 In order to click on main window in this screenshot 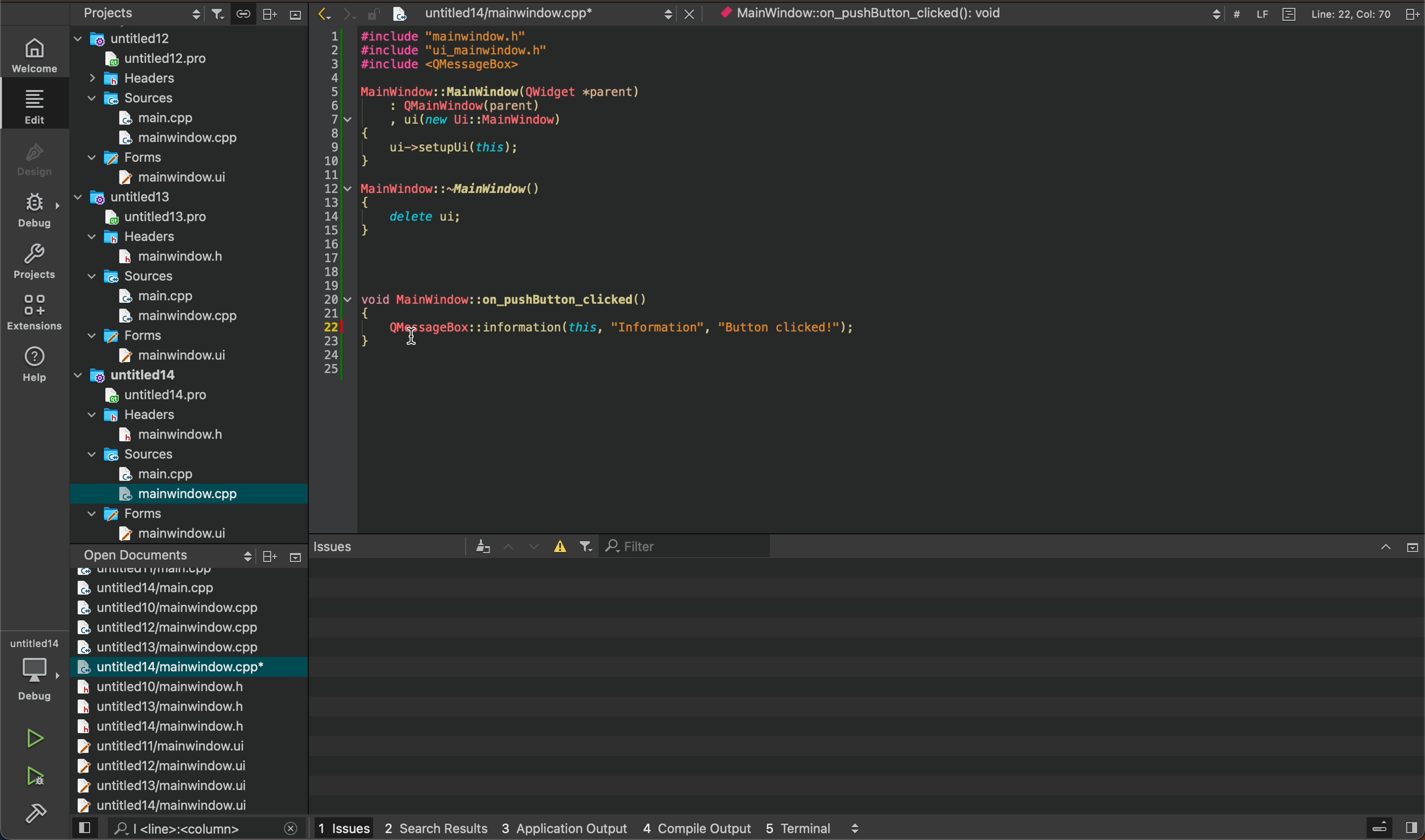, I will do `click(162, 256)`.